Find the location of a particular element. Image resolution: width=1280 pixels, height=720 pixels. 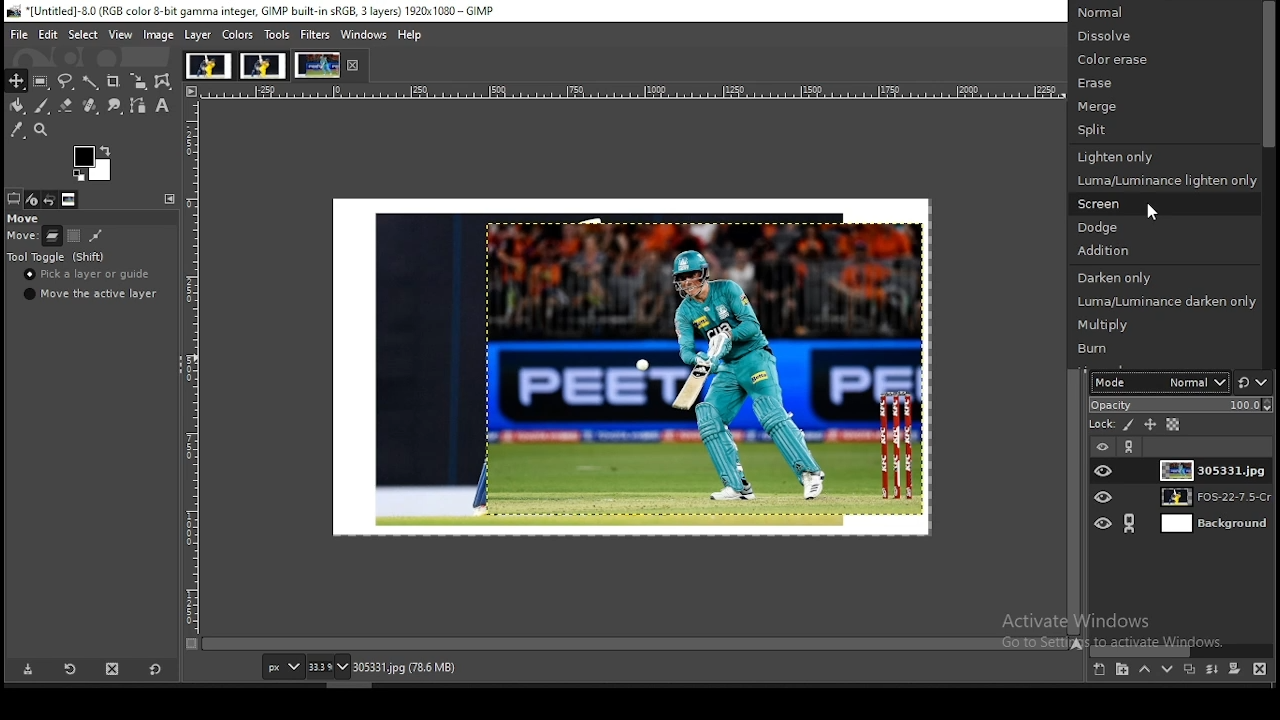

edit is located at coordinates (50, 34).